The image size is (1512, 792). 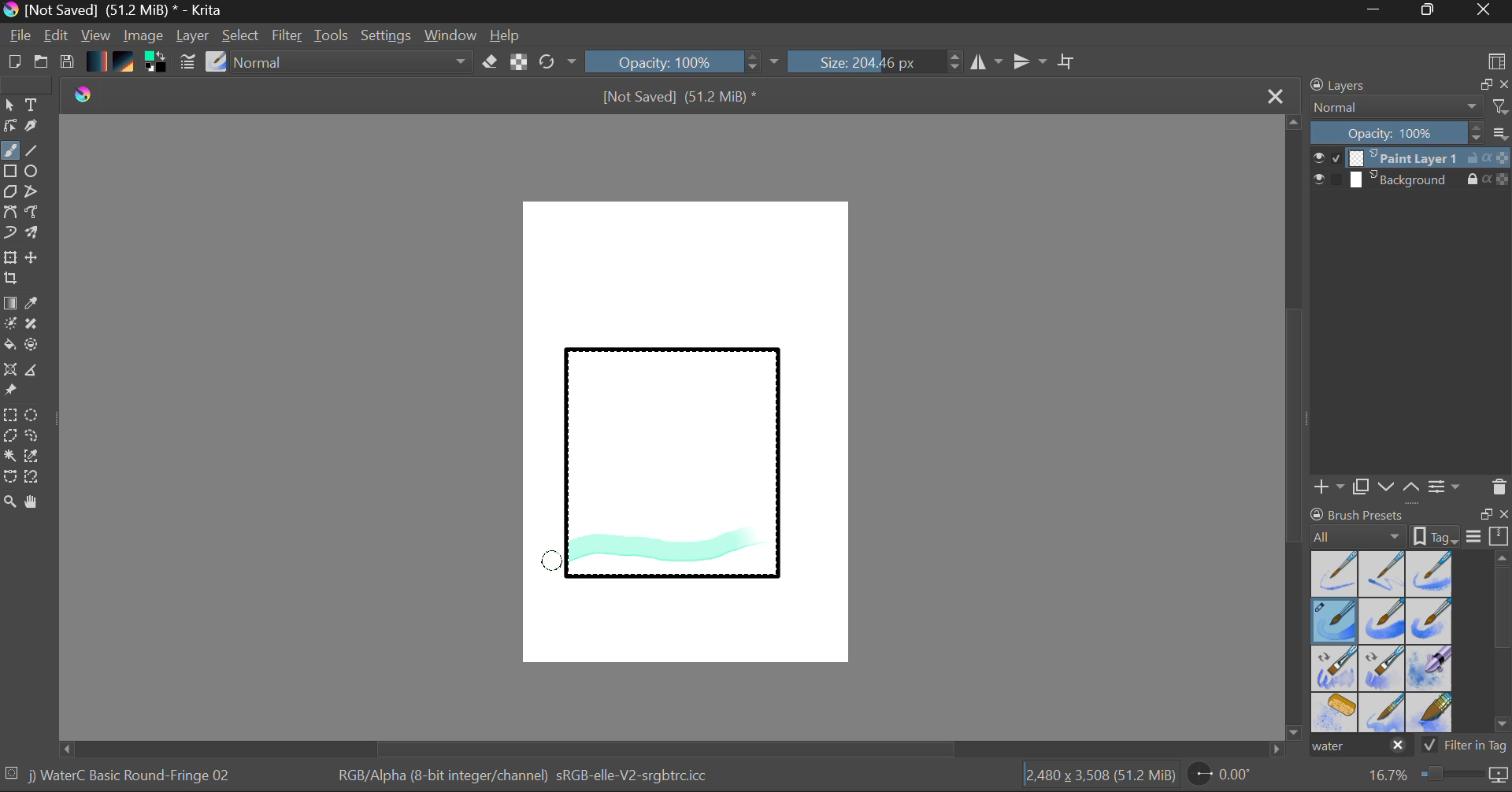 What do you see at coordinates (43, 64) in the screenshot?
I see `Open` at bounding box center [43, 64].